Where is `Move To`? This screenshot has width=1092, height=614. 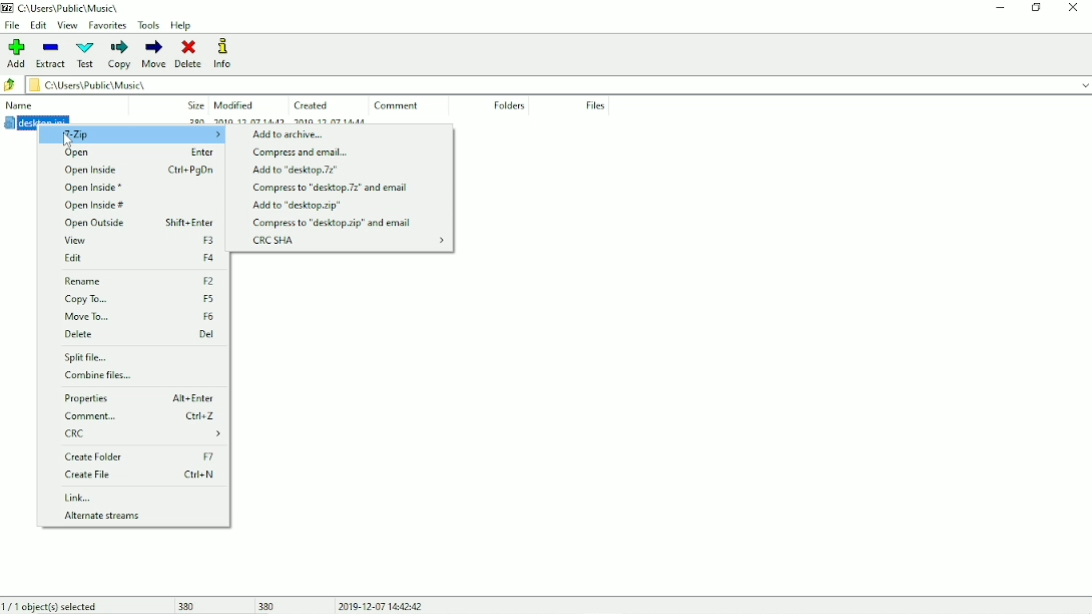 Move To is located at coordinates (139, 316).